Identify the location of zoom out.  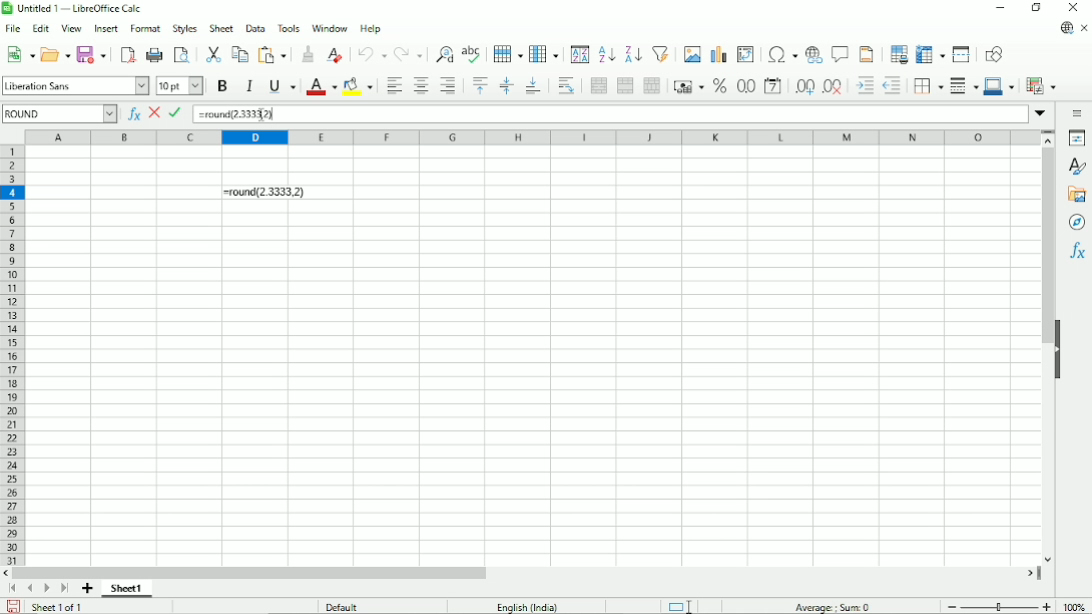
(953, 607).